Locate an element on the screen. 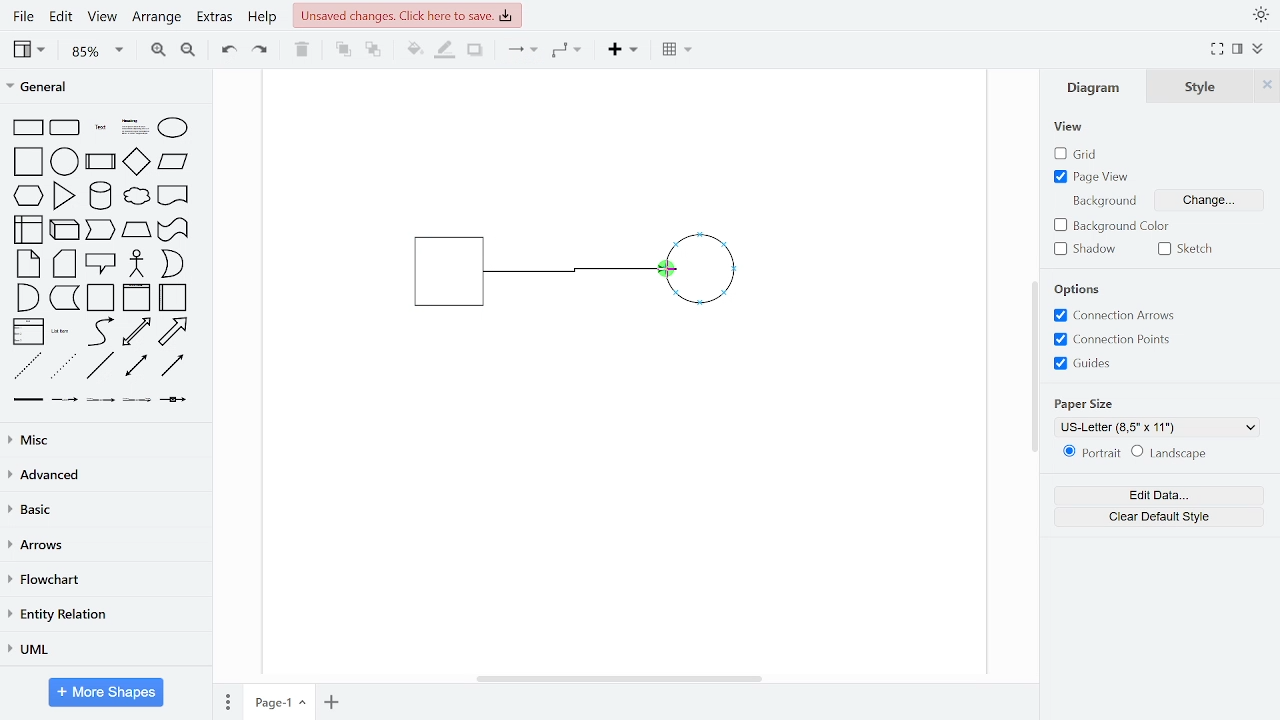 This screenshot has width=1280, height=720. background color is located at coordinates (1115, 227).